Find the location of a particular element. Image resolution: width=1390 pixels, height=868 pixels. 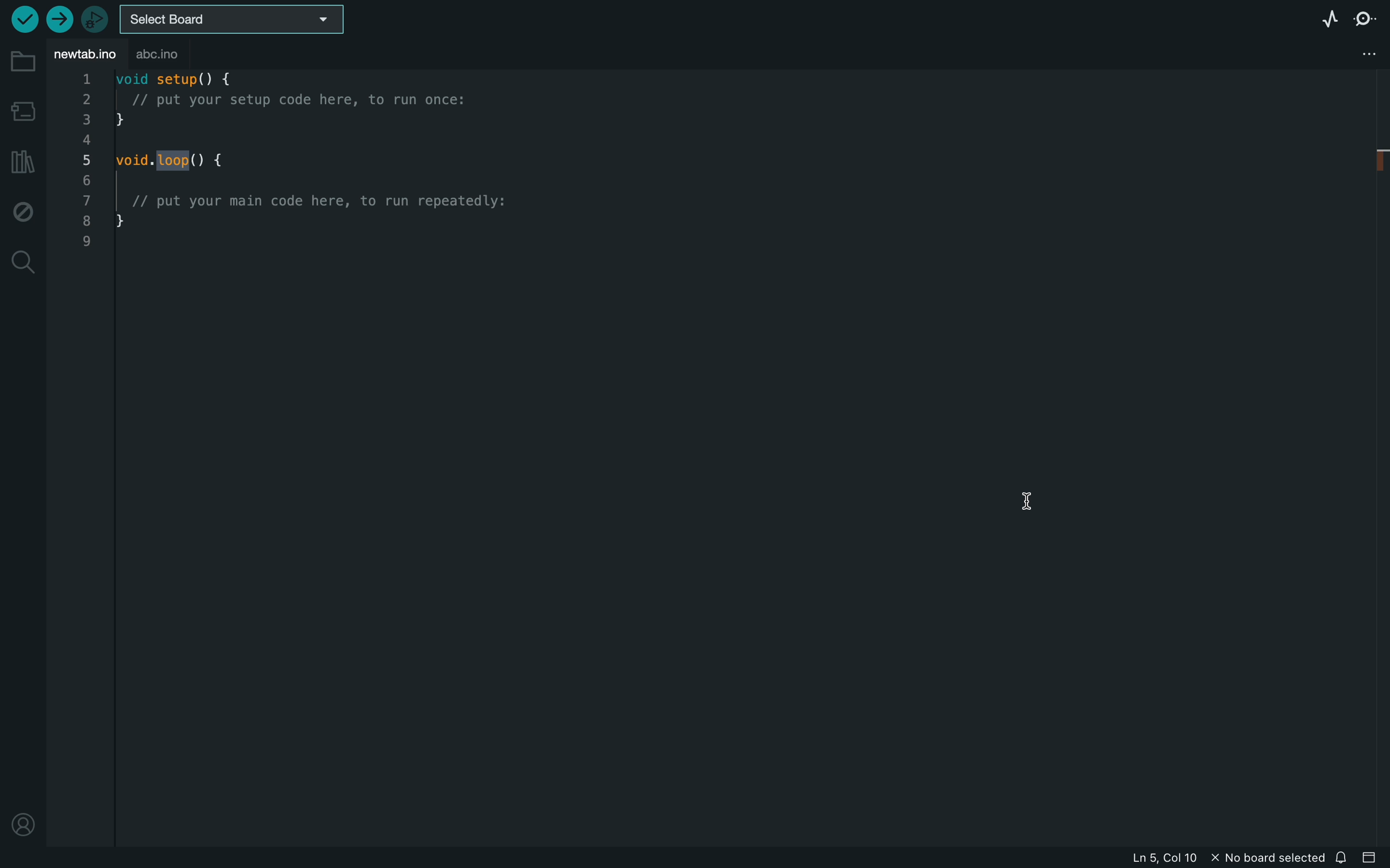

library manager is located at coordinates (20, 161).